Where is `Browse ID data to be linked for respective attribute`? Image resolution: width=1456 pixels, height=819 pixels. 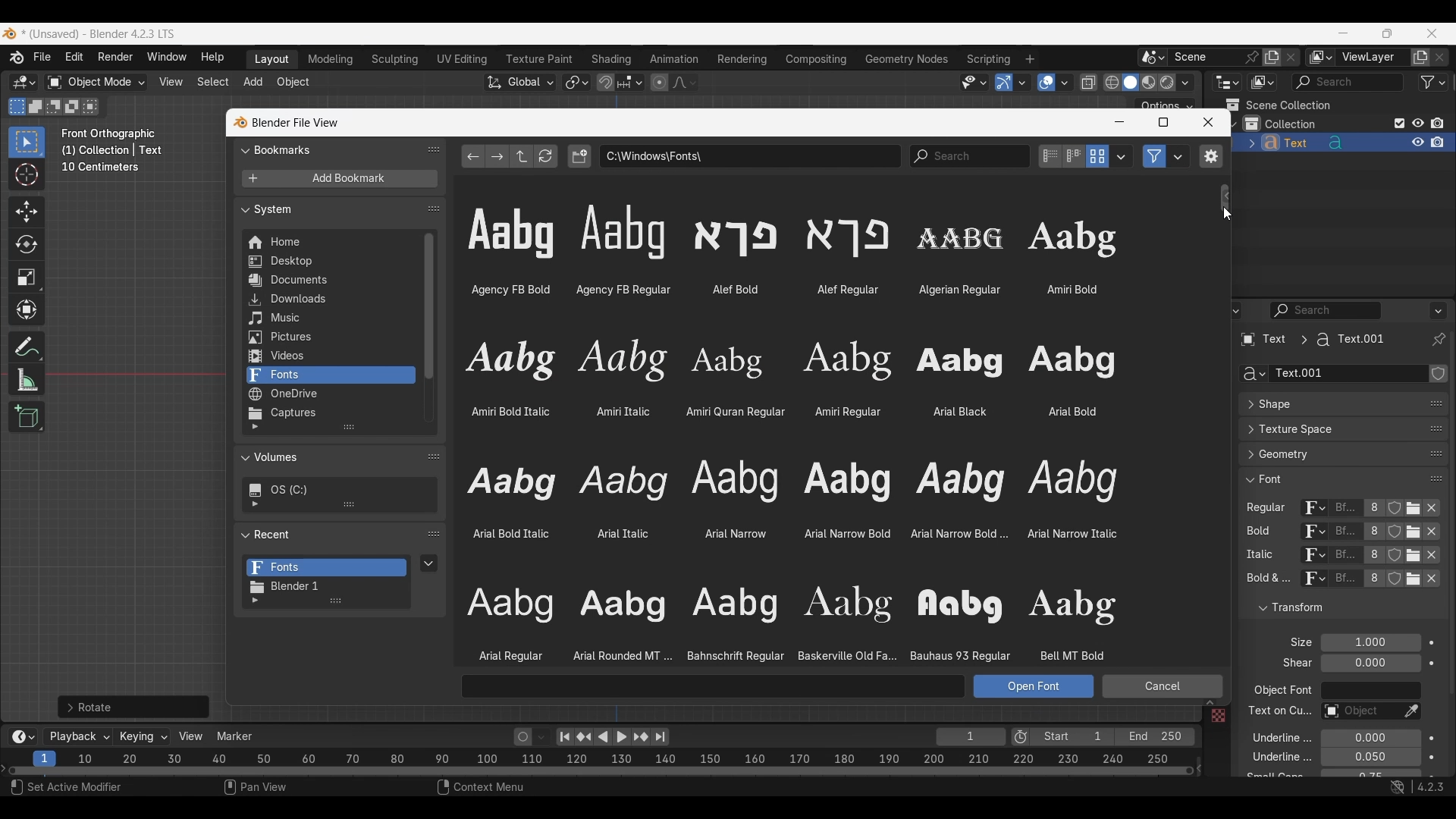 Browse ID data to be linked for respective attribute is located at coordinates (1314, 509).